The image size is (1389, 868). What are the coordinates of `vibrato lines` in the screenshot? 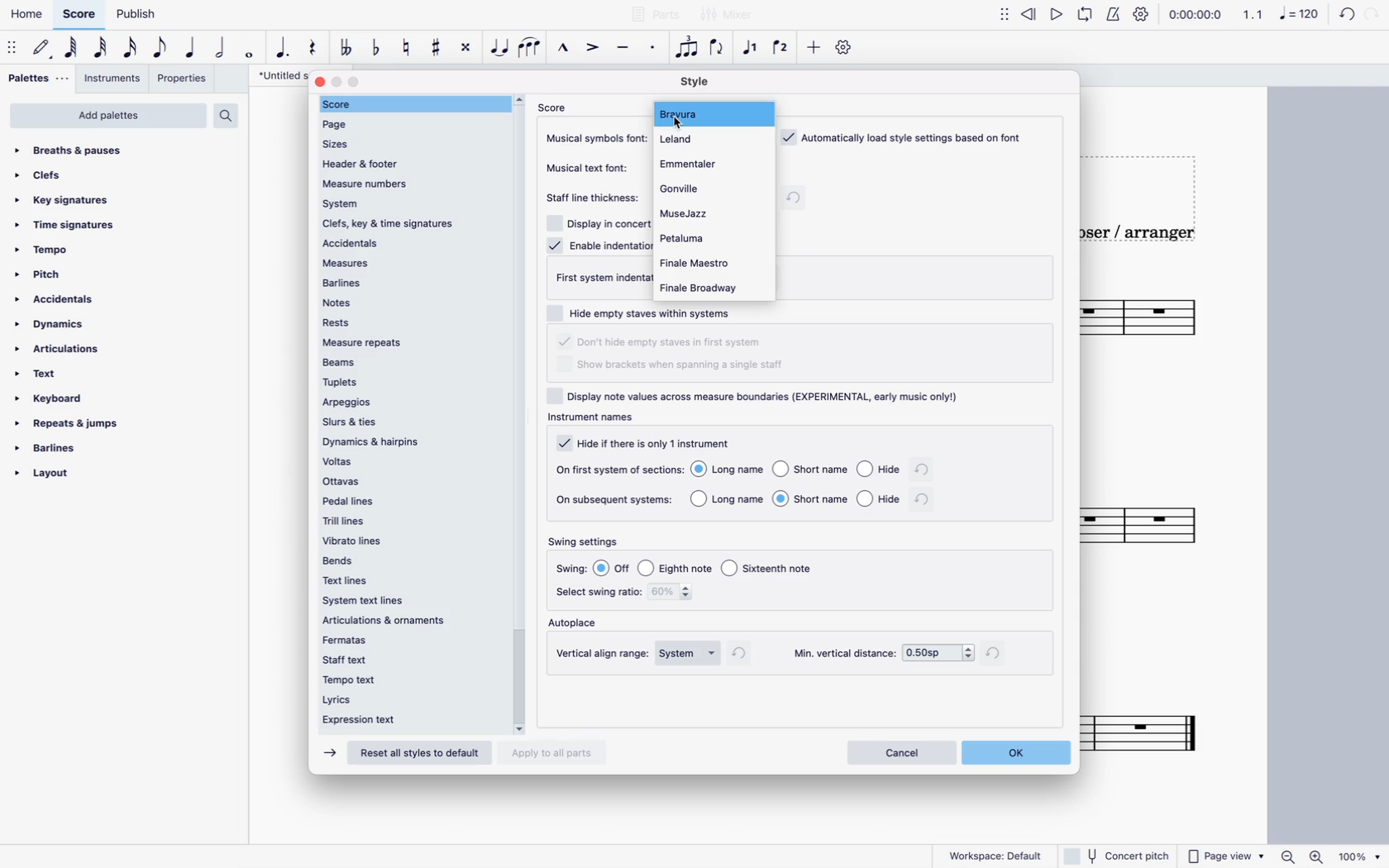 It's located at (412, 540).